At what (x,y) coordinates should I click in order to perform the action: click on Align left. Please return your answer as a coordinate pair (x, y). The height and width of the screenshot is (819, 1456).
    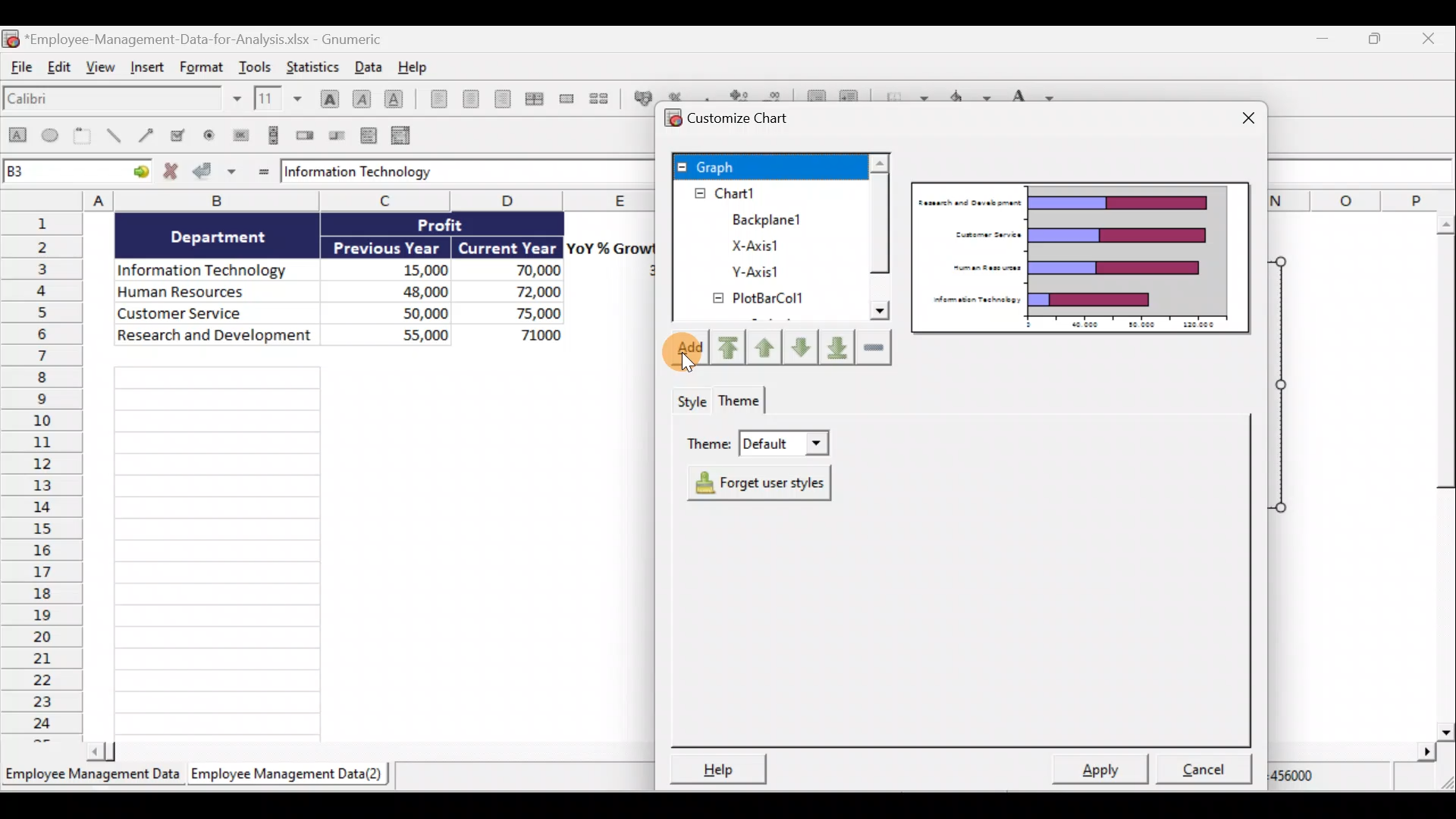
    Looking at the image, I should click on (434, 102).